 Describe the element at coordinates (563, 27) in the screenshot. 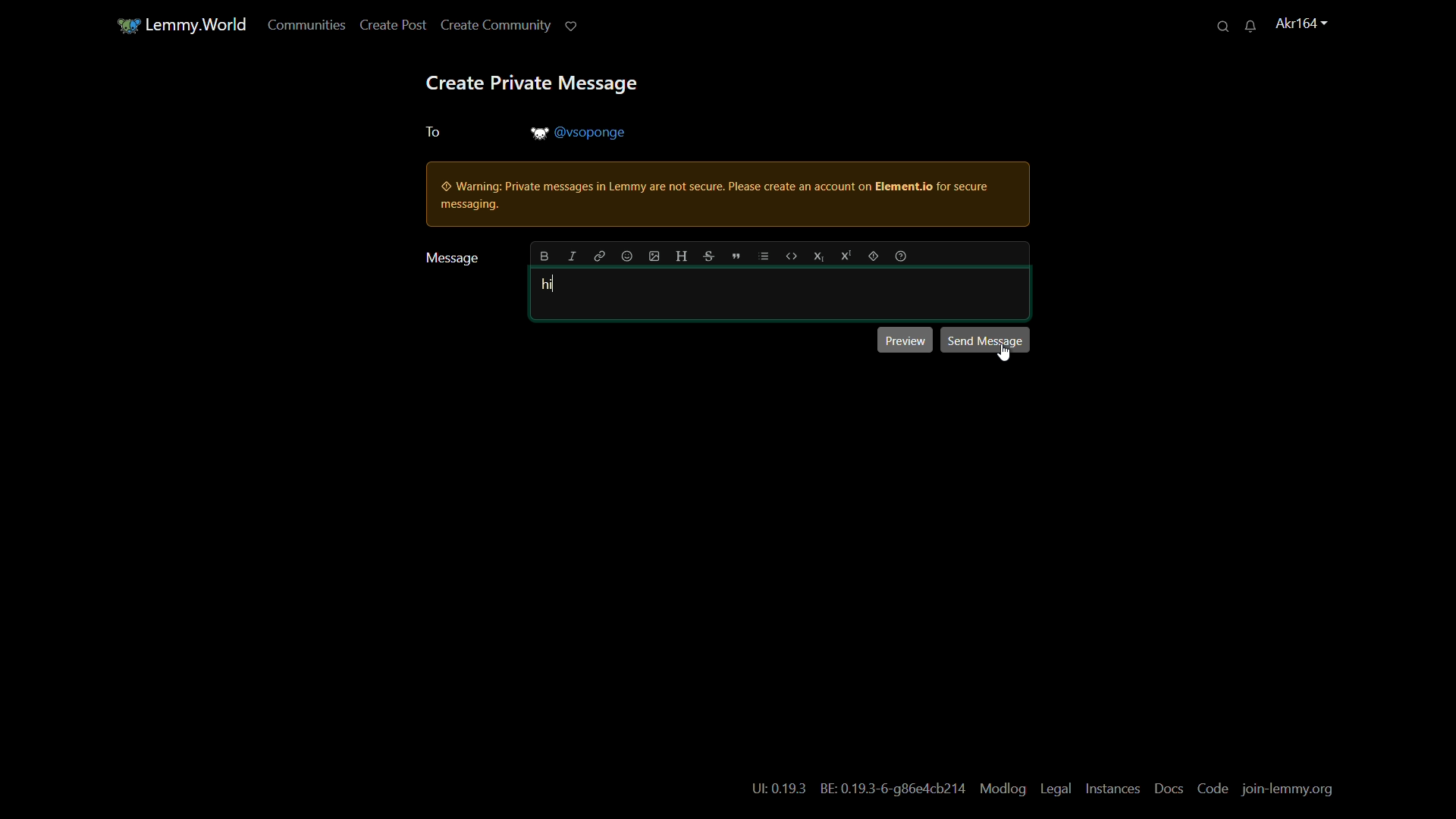

I see `support lemmy.world` at that location.